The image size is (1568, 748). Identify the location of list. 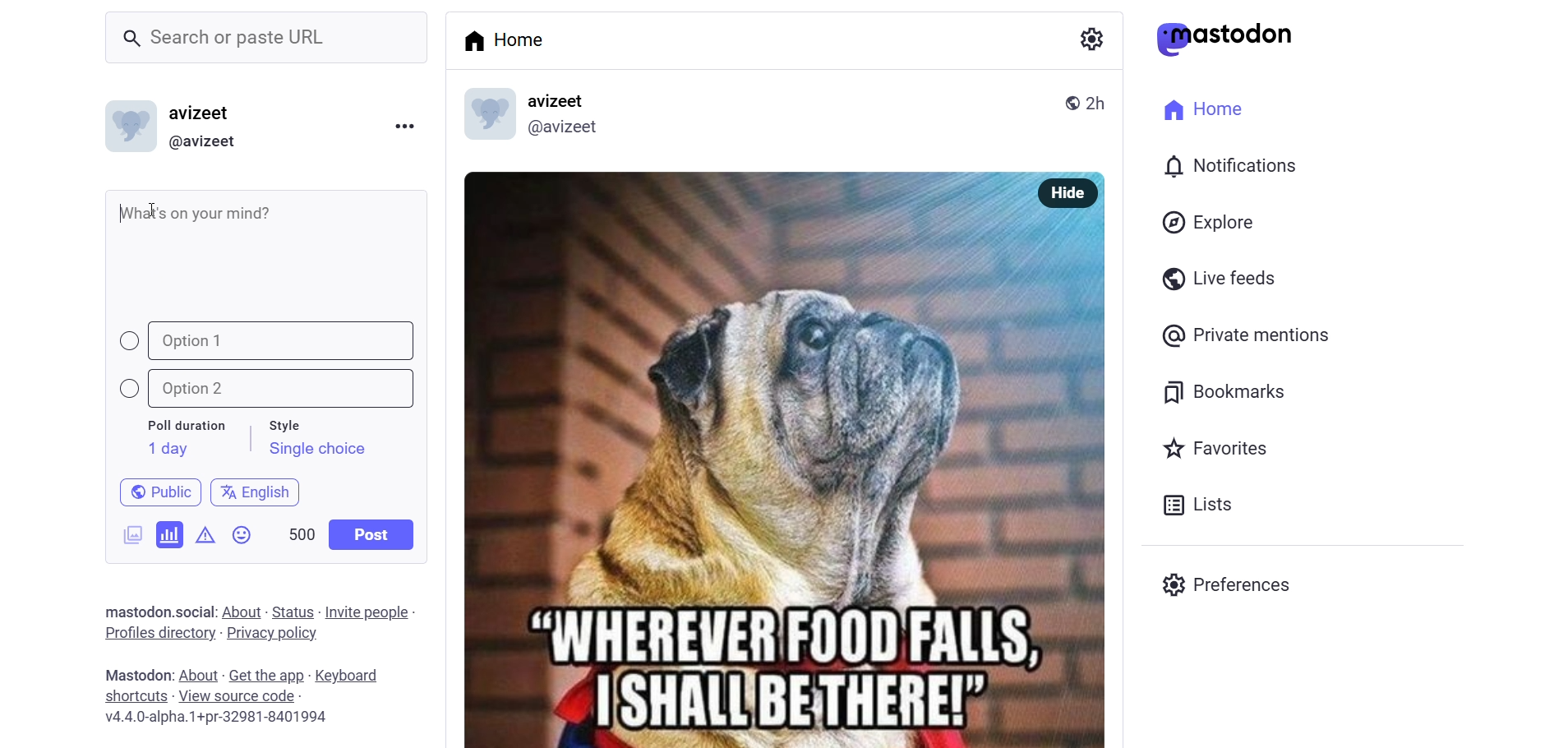
(1193, 505).